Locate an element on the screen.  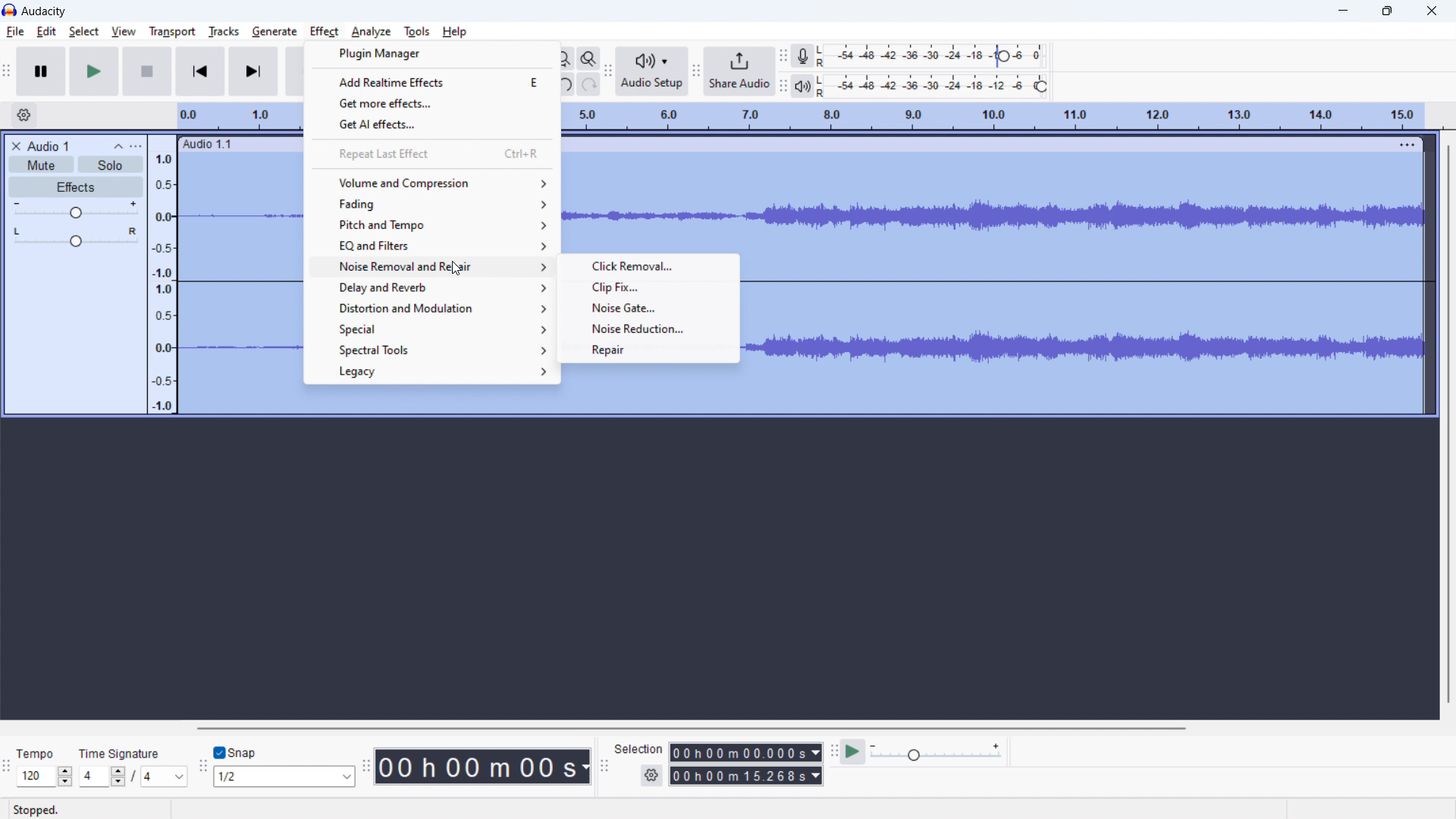
stop is located at coordinates (147, 71).